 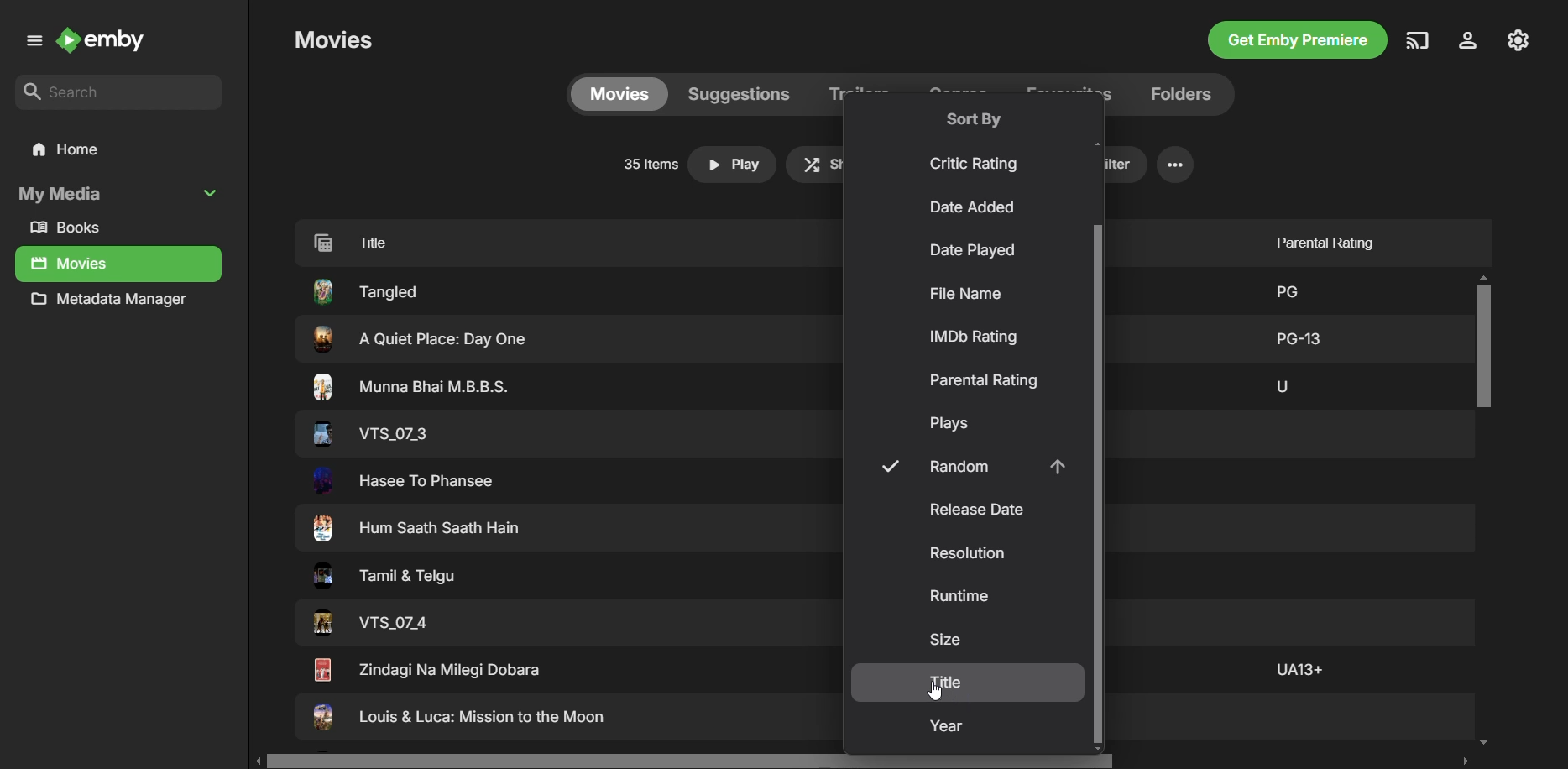 What do you see at coordinates (1175, 165) in the screenshot?
I see `Settings` at bounding box center [1175, 165].